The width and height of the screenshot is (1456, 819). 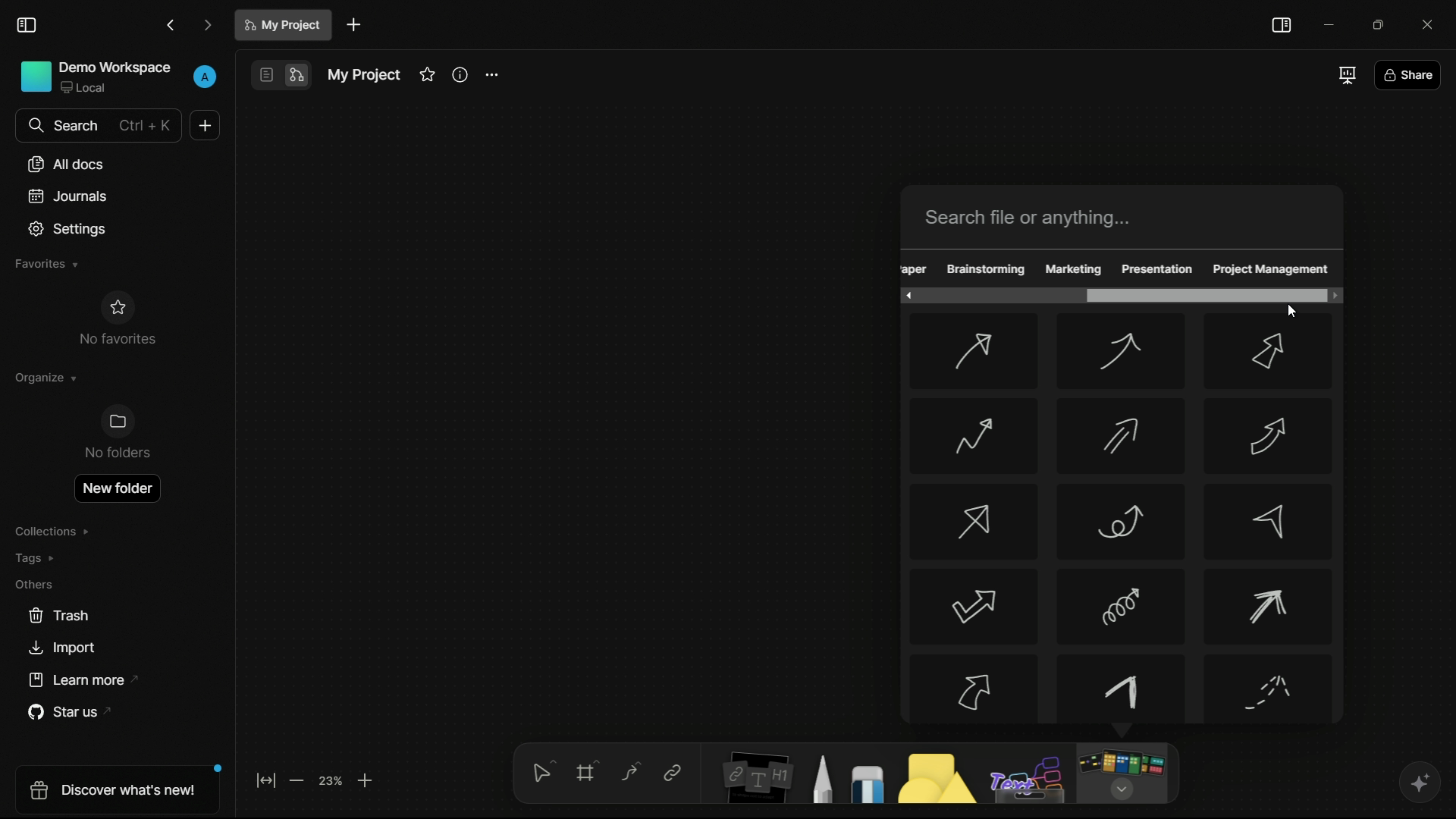 What do you see at coordinates (1271, 270) in the screenshot?
I see `project management` at bounding box center [1271, 270].